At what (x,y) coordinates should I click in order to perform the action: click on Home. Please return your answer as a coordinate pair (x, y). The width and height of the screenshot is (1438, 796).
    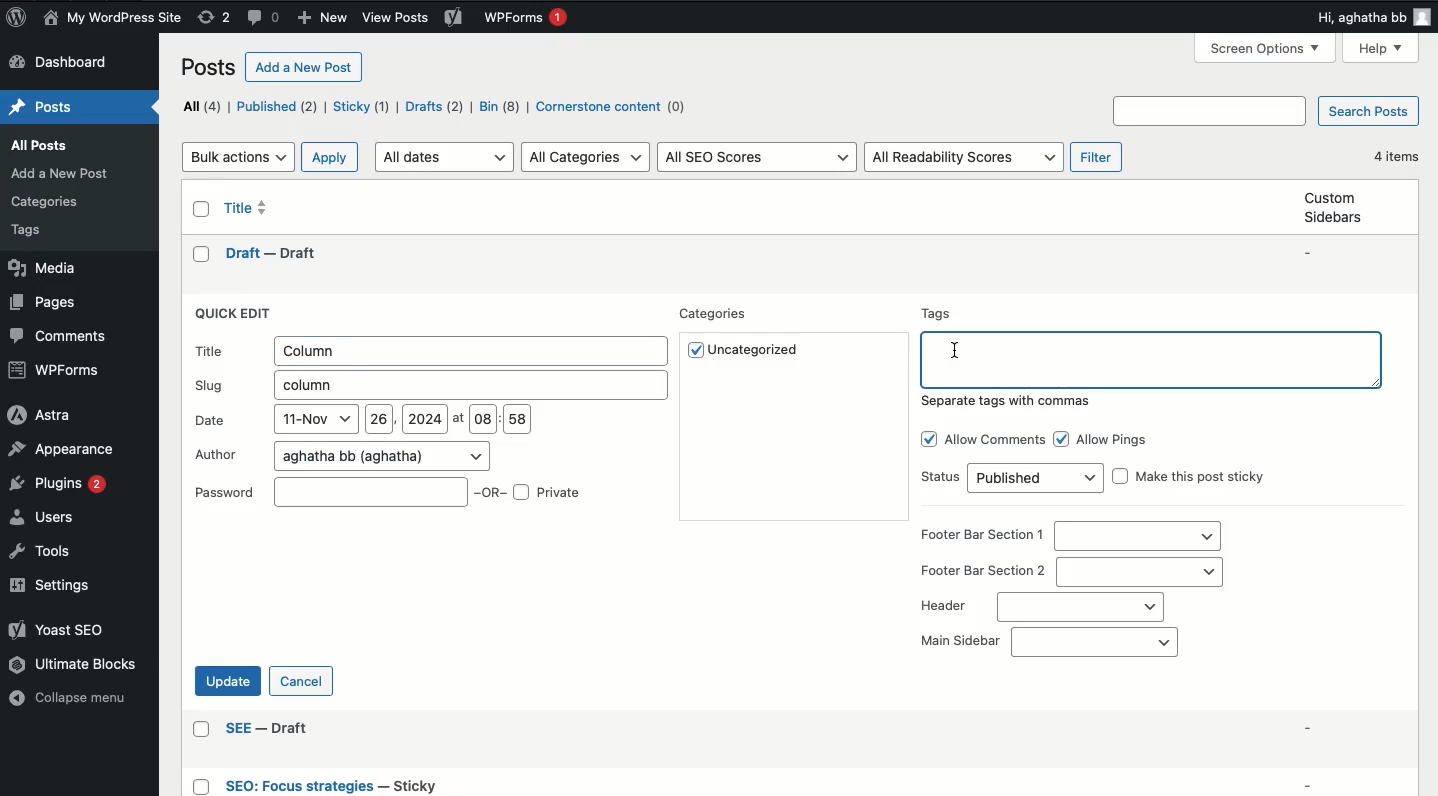
    Looking at the image, I should click on (39, 108).